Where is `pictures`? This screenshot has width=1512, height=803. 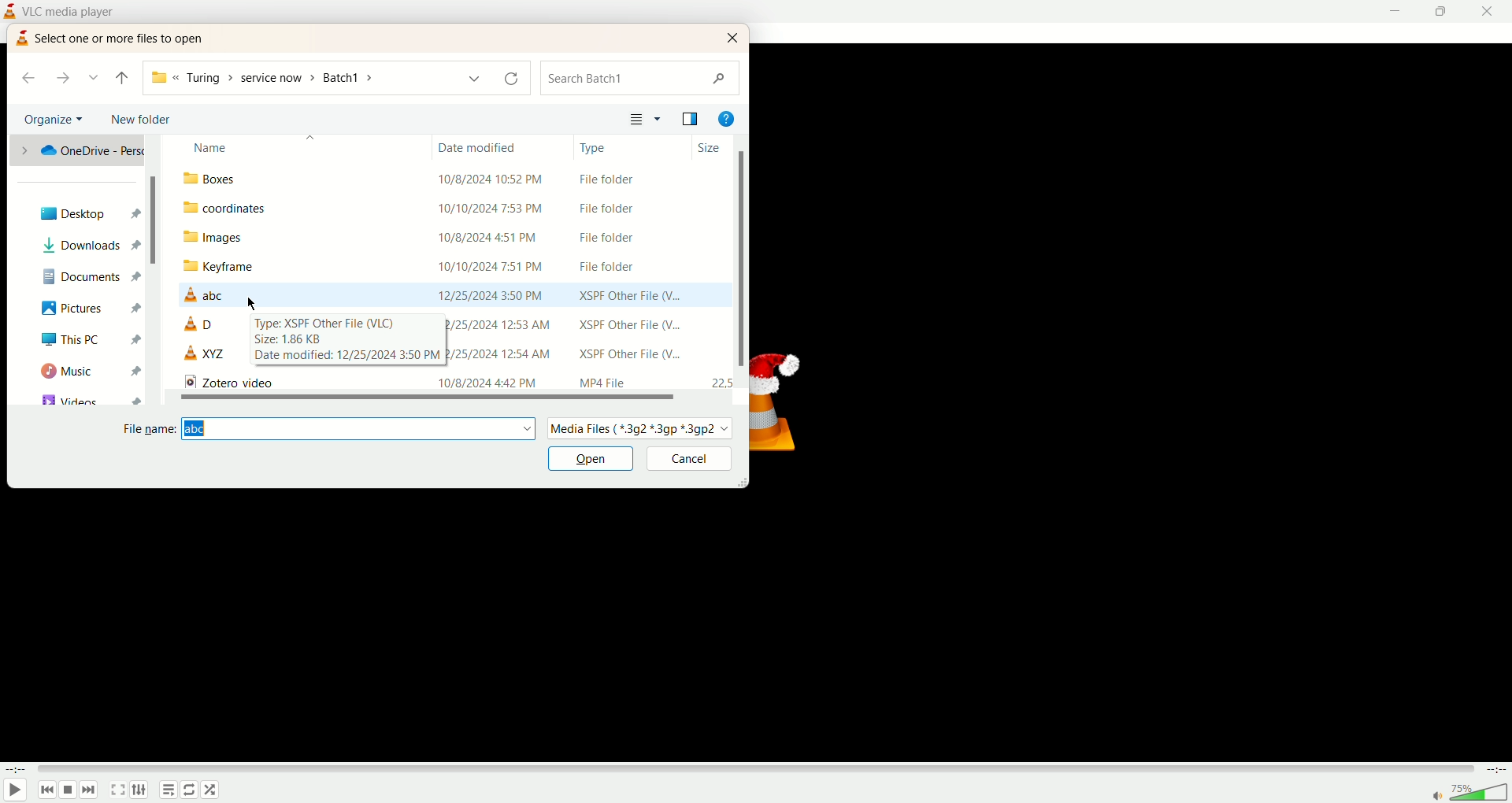 pictures is located at coordinates (87, 309).